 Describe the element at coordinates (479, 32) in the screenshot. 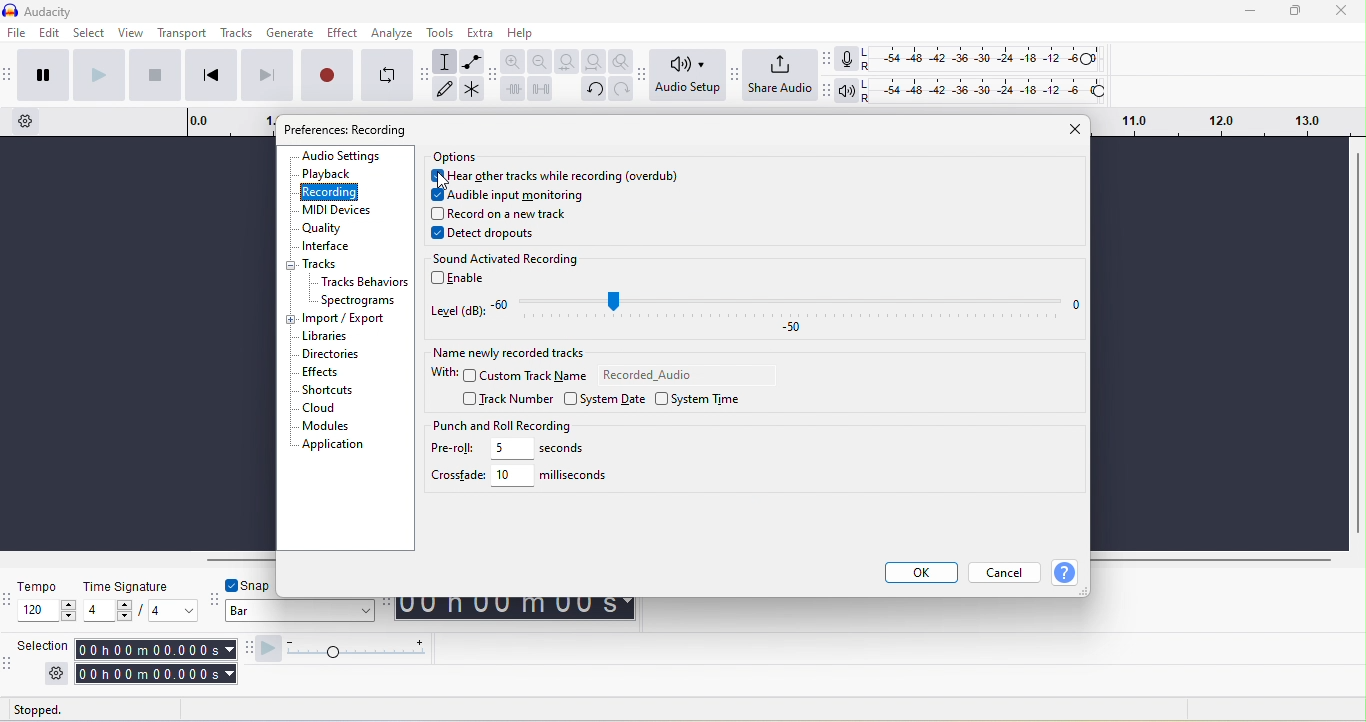

I see `extra` at that location.